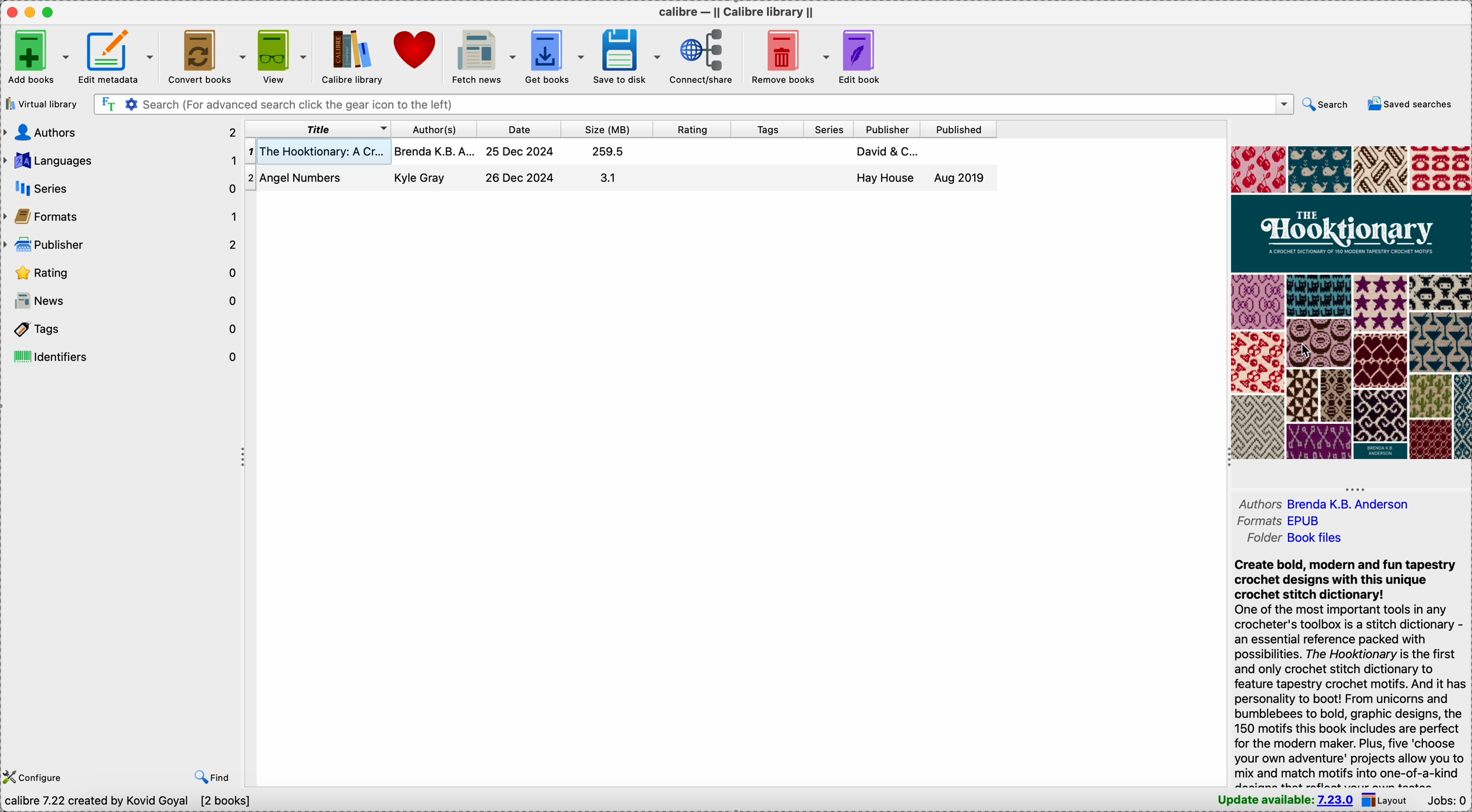  I want to click on configure, so click(37, 778).